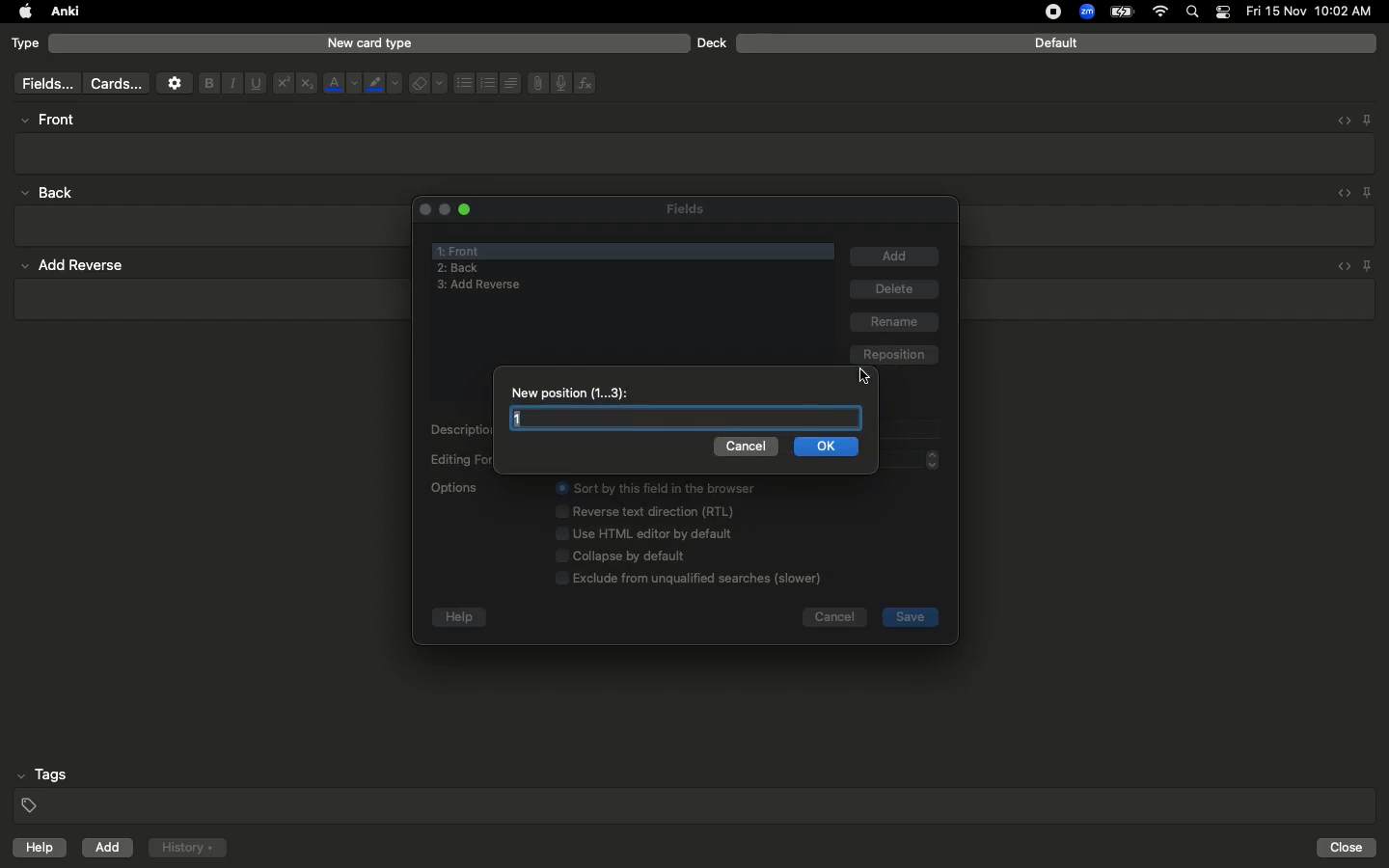 The image size is (1389, 868). What do you see at coordinates (897, 290) in the screenshot?
I see `Delete` at bounding box center [897, 290].